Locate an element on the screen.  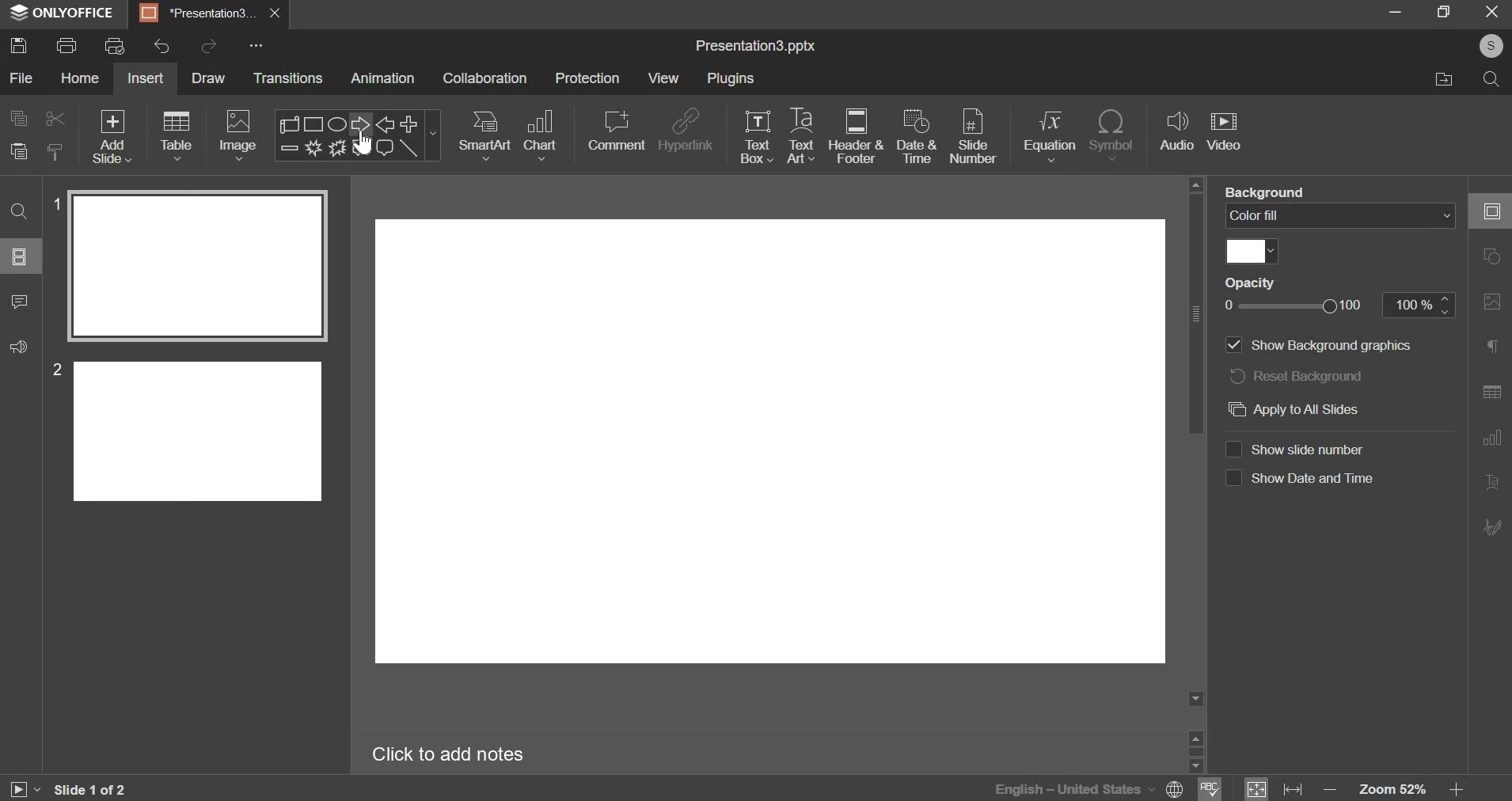
customize quick access is located at coordinates (256, 45).